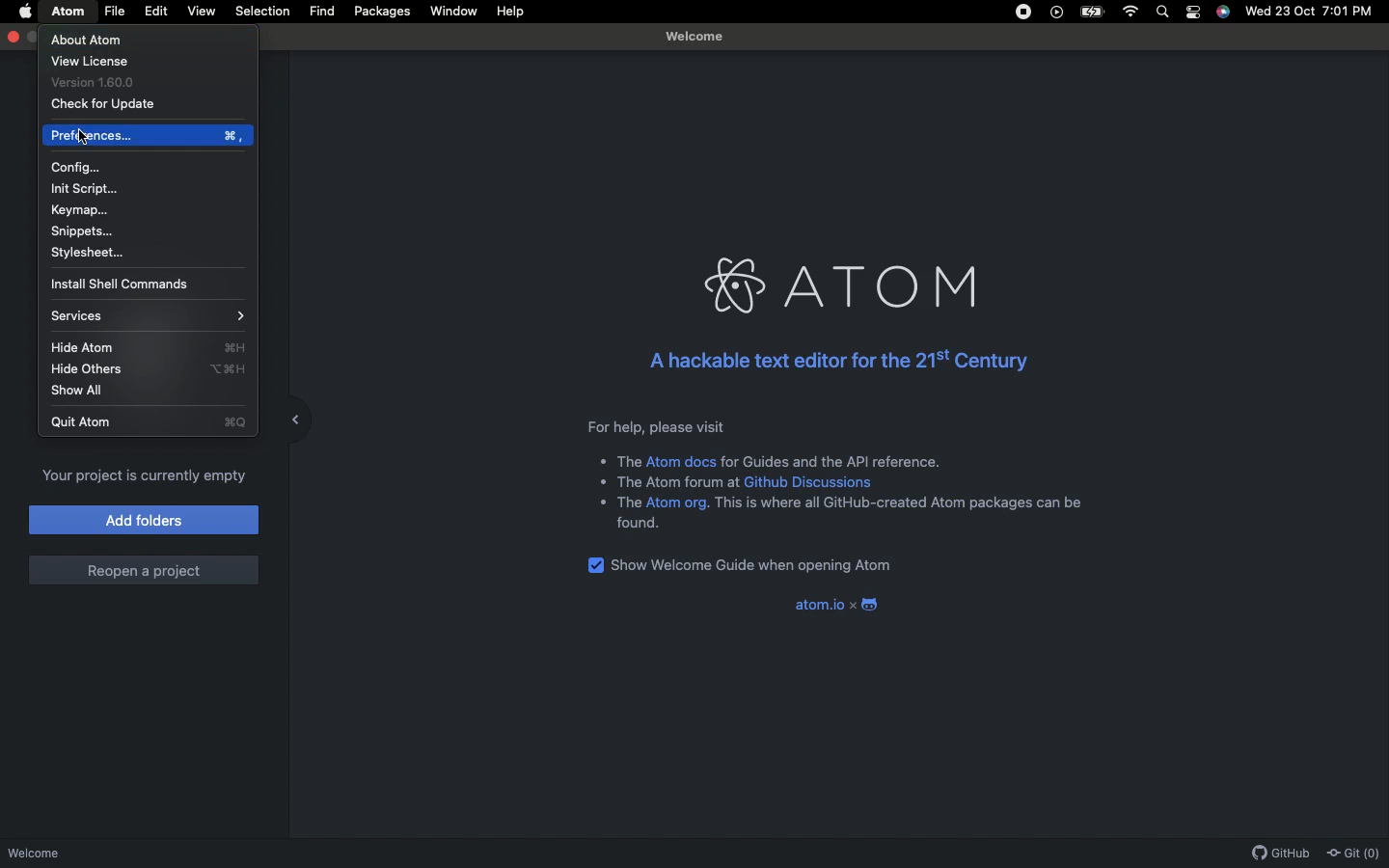  What do you see at coordinates (14, 36) in the screenshot?
I see `Close` at bounding box center [14, 36].